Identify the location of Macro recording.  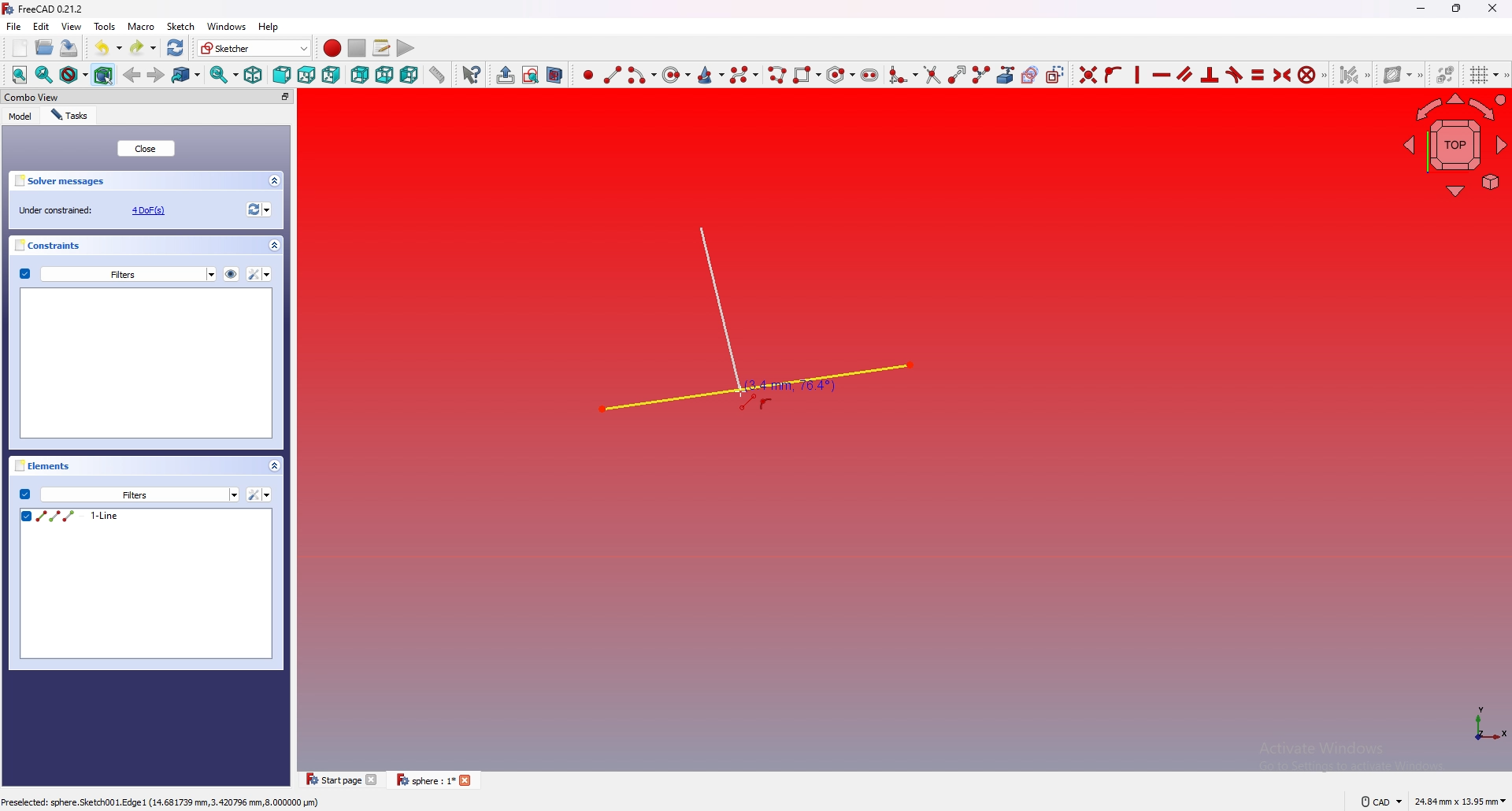
(329, 48).